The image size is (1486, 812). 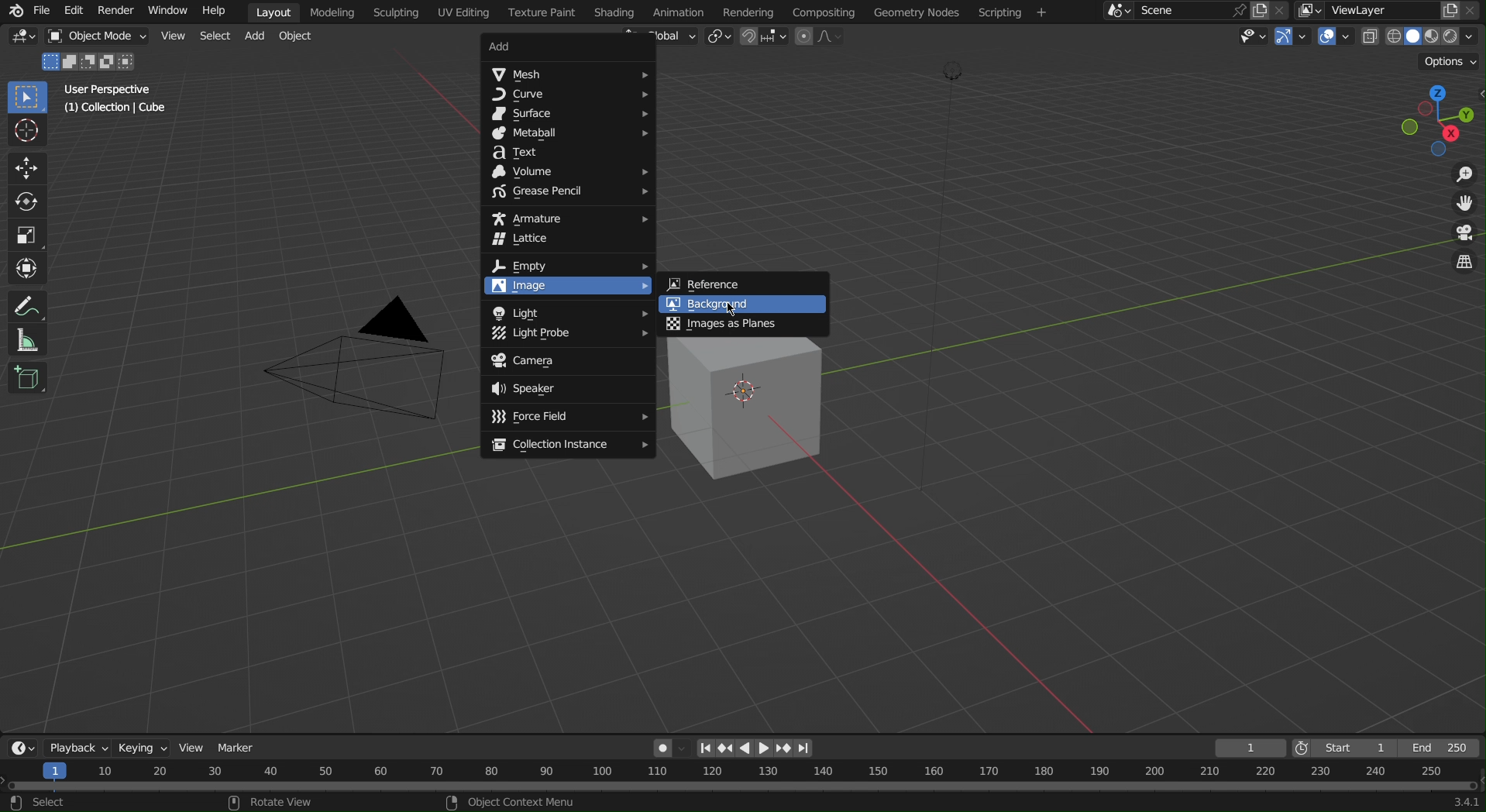 What do you see at coordinates (25, 341) in the screenshot?
I see `Measure` at bounding box center [25, 341].